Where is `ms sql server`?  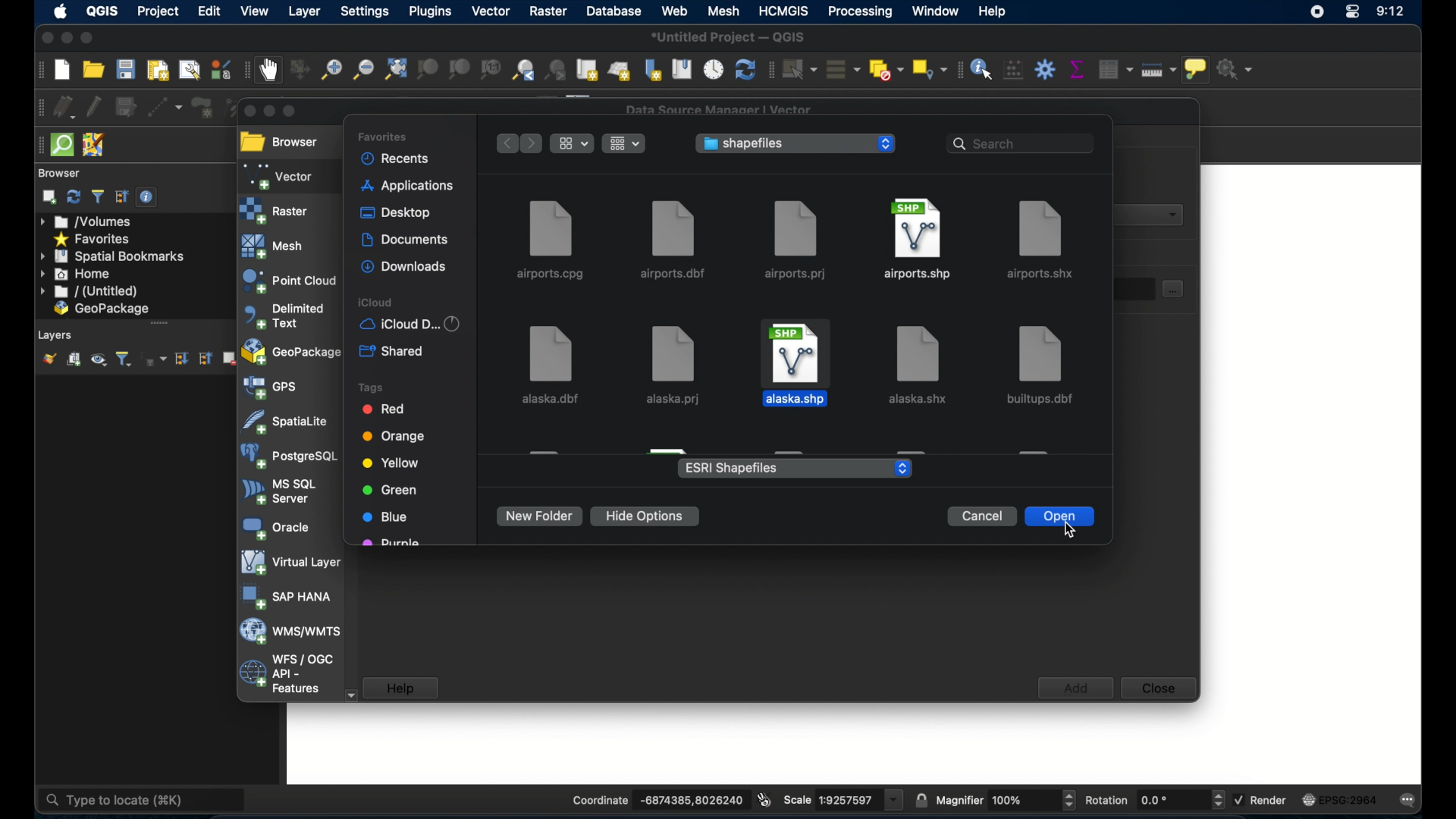
ms sql server is located at coordinates (279, 491).